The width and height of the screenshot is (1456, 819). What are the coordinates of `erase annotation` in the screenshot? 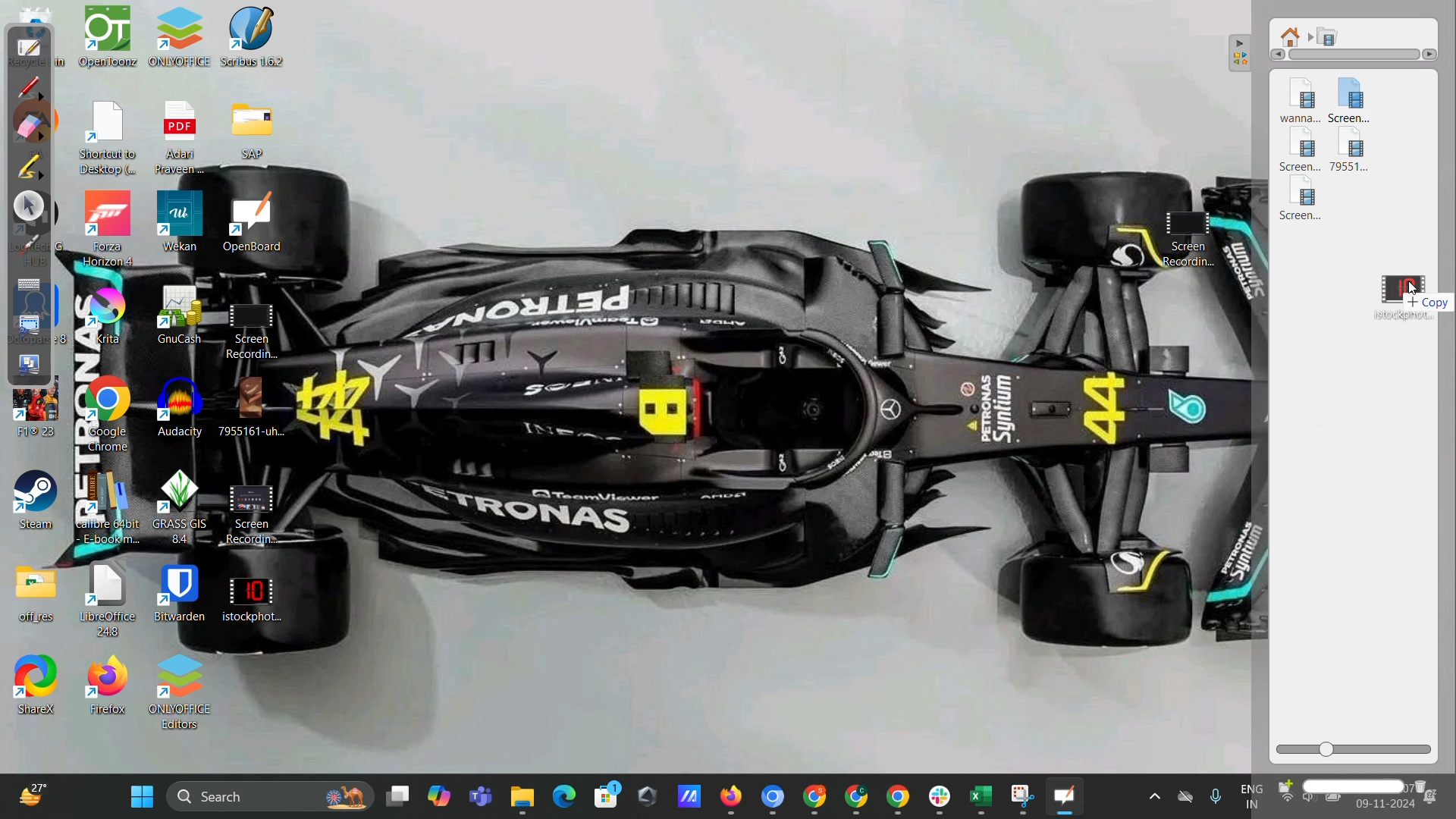 It's located at (36, 127).